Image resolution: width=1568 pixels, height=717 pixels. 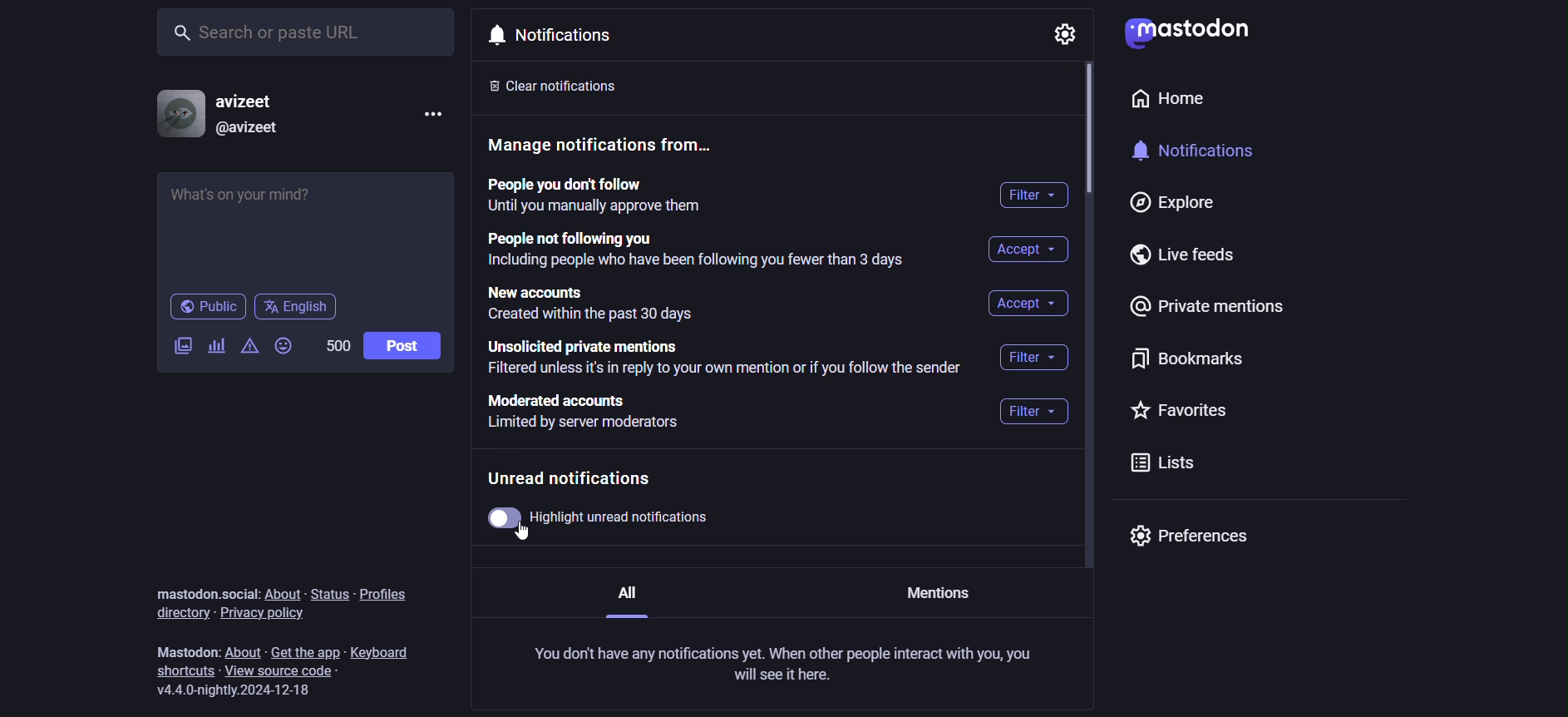 I want to click on You don't have any notifications yet. When other people interact with you, you
will see it here., so click(x=781, y=666).